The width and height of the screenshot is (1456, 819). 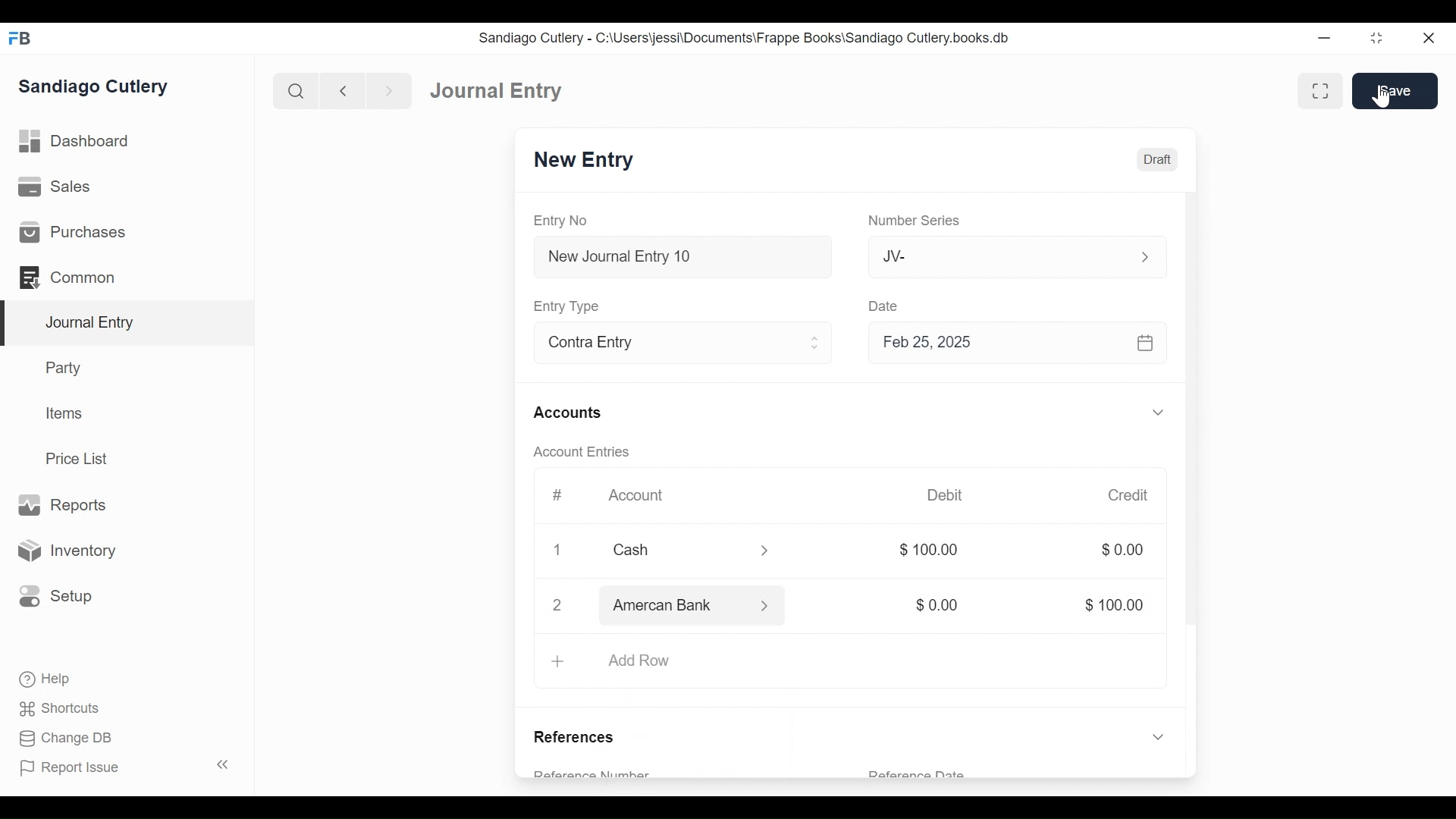 What do you see at coordinates (344, 91) in the screenshot?
I see `Navigate Back` at bounding box center [344, 91].